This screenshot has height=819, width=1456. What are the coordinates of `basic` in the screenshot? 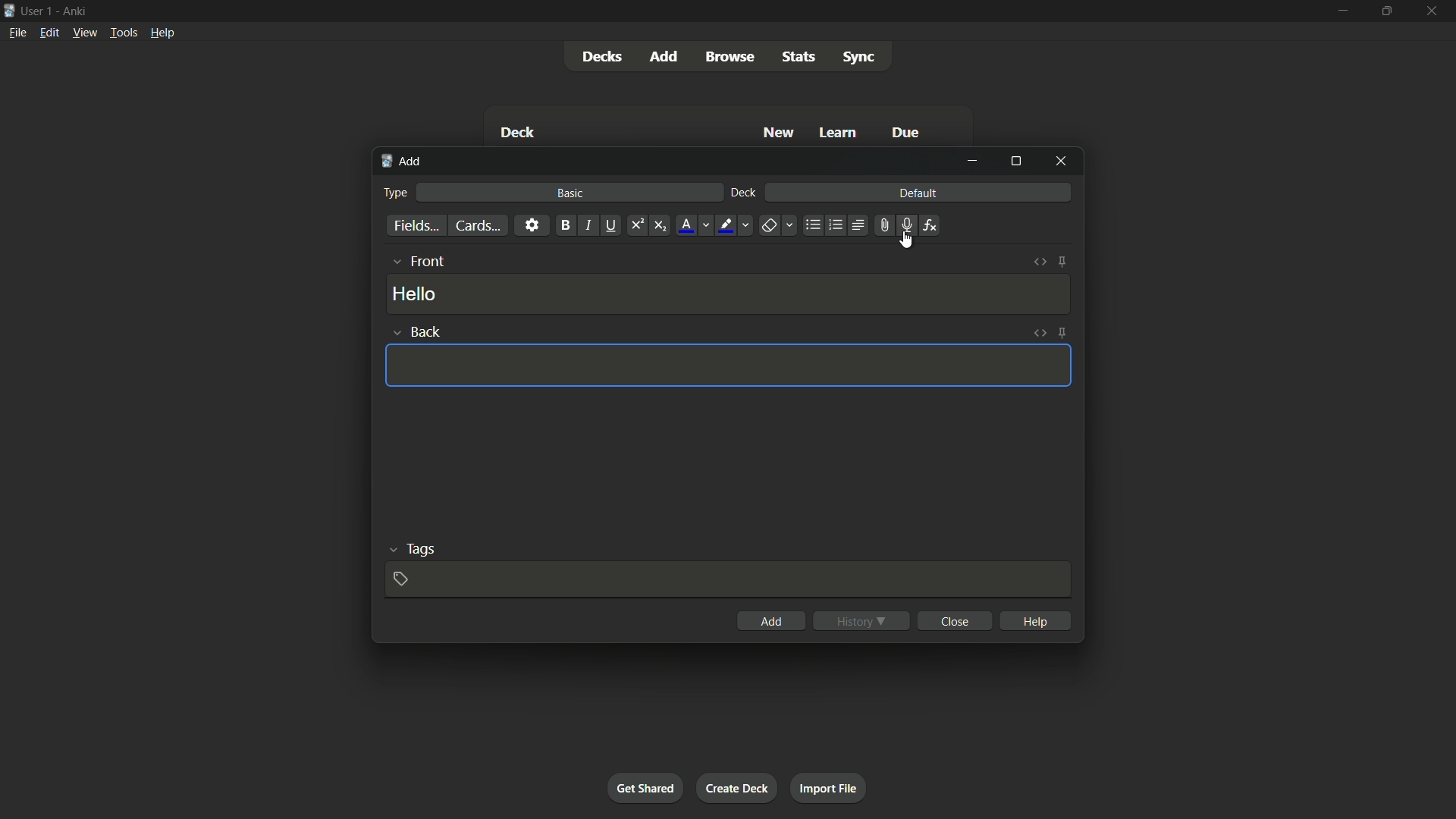 It's located at (568, 193).